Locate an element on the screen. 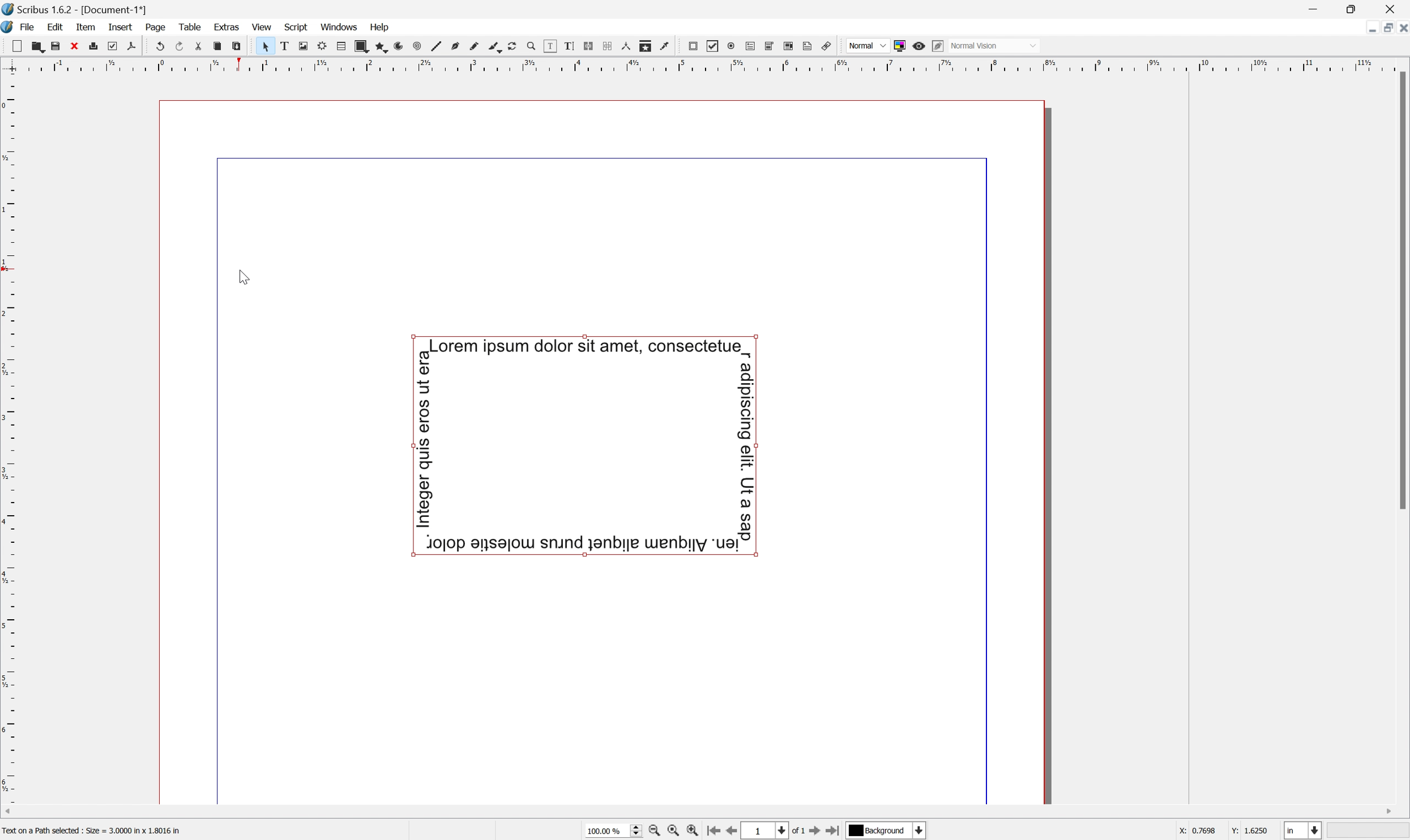 This screenshot has width=1410, height=840. Select the current payer is located at coordinates (887, 832).